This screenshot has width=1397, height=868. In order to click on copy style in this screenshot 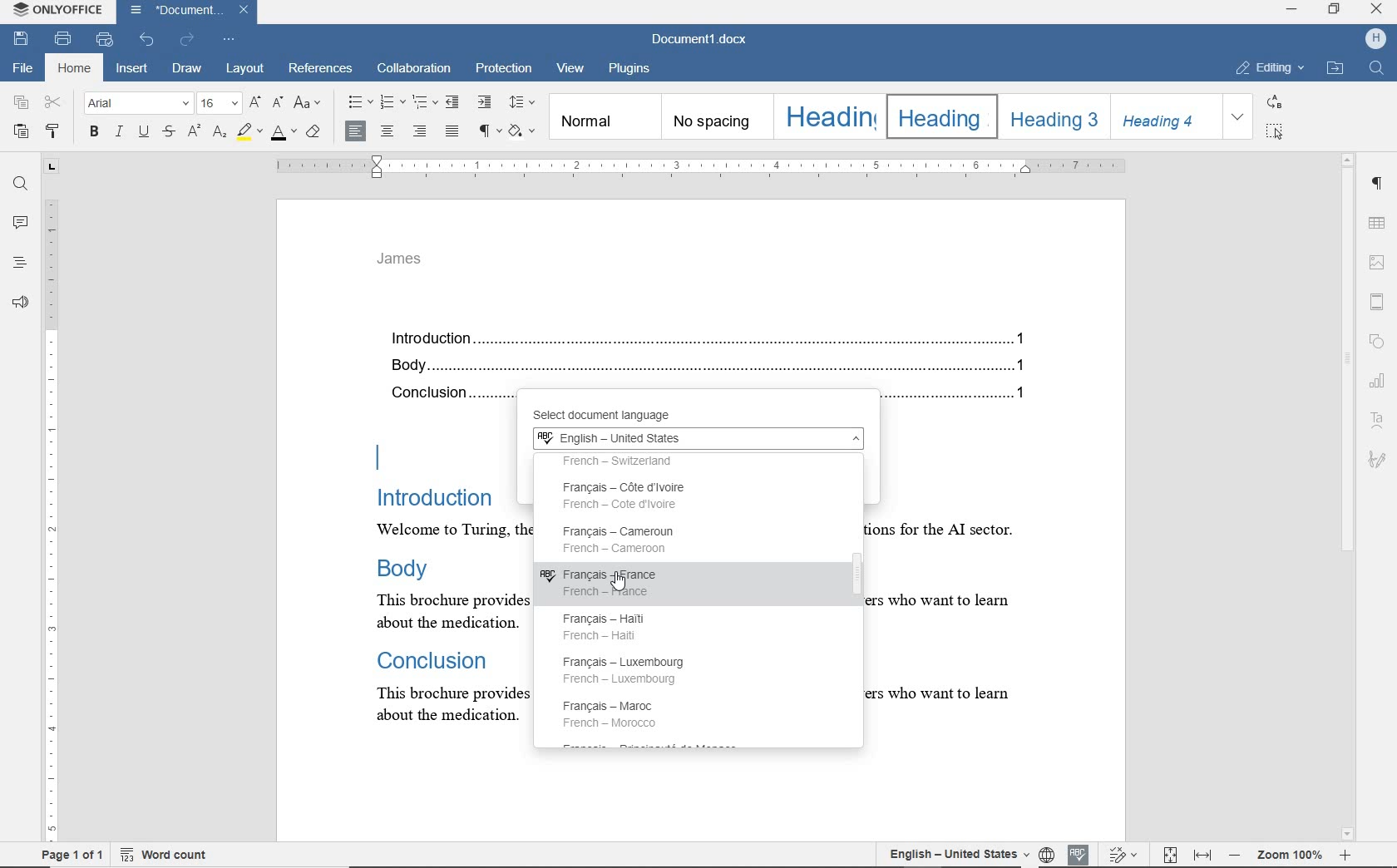, I will do `click(57, 133)`.